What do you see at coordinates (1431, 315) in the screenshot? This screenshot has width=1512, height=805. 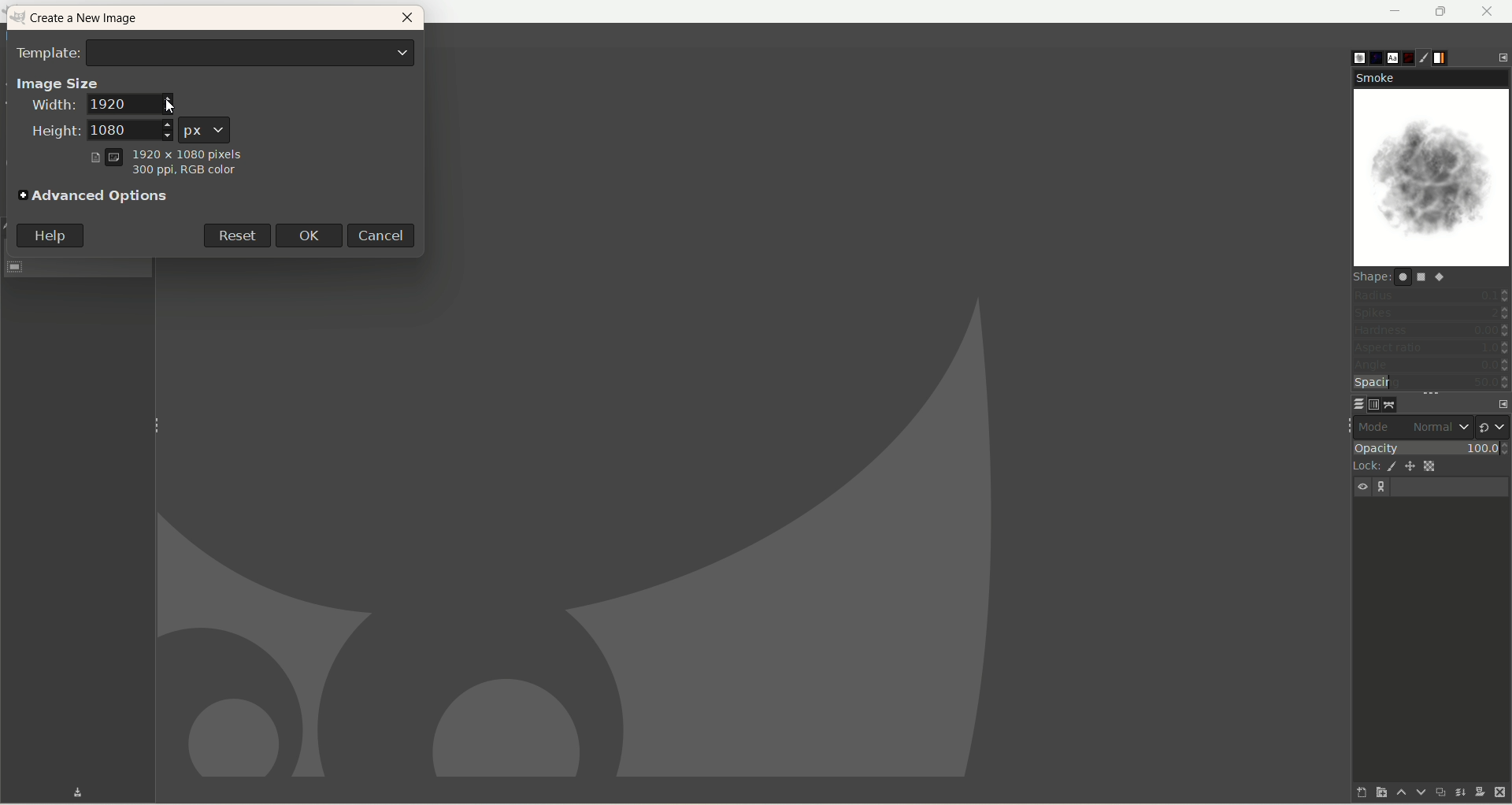 I see `spikes` at bounding box center [1431, 315].